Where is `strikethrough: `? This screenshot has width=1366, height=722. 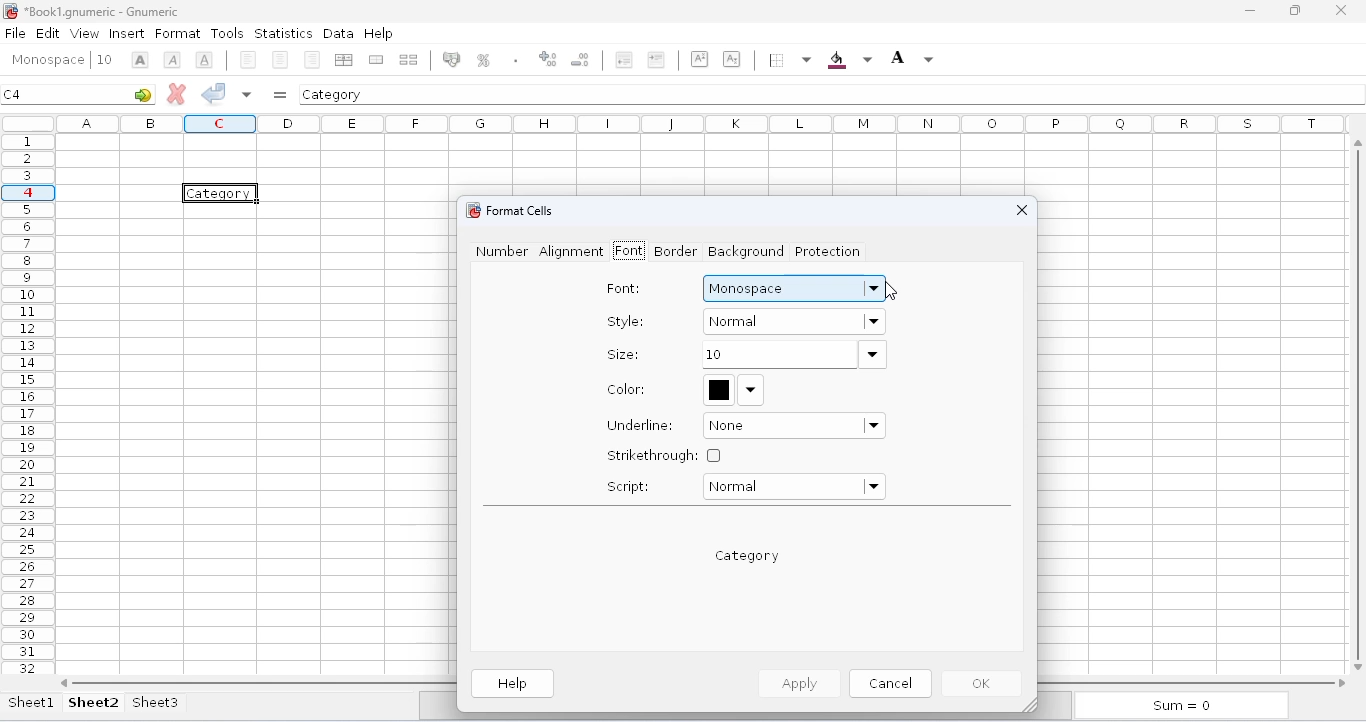
strikethrough:  is located at coordinates (664, 455).